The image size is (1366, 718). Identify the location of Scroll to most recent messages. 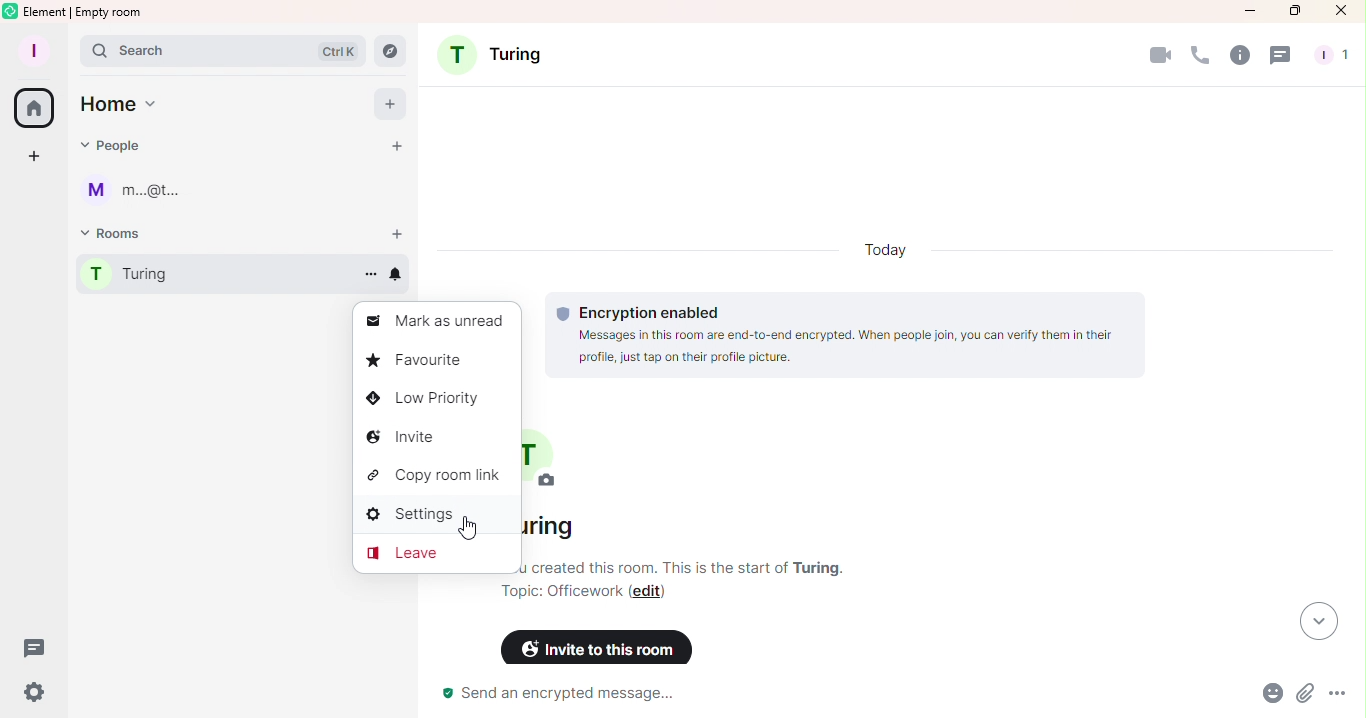
(1315, 621).